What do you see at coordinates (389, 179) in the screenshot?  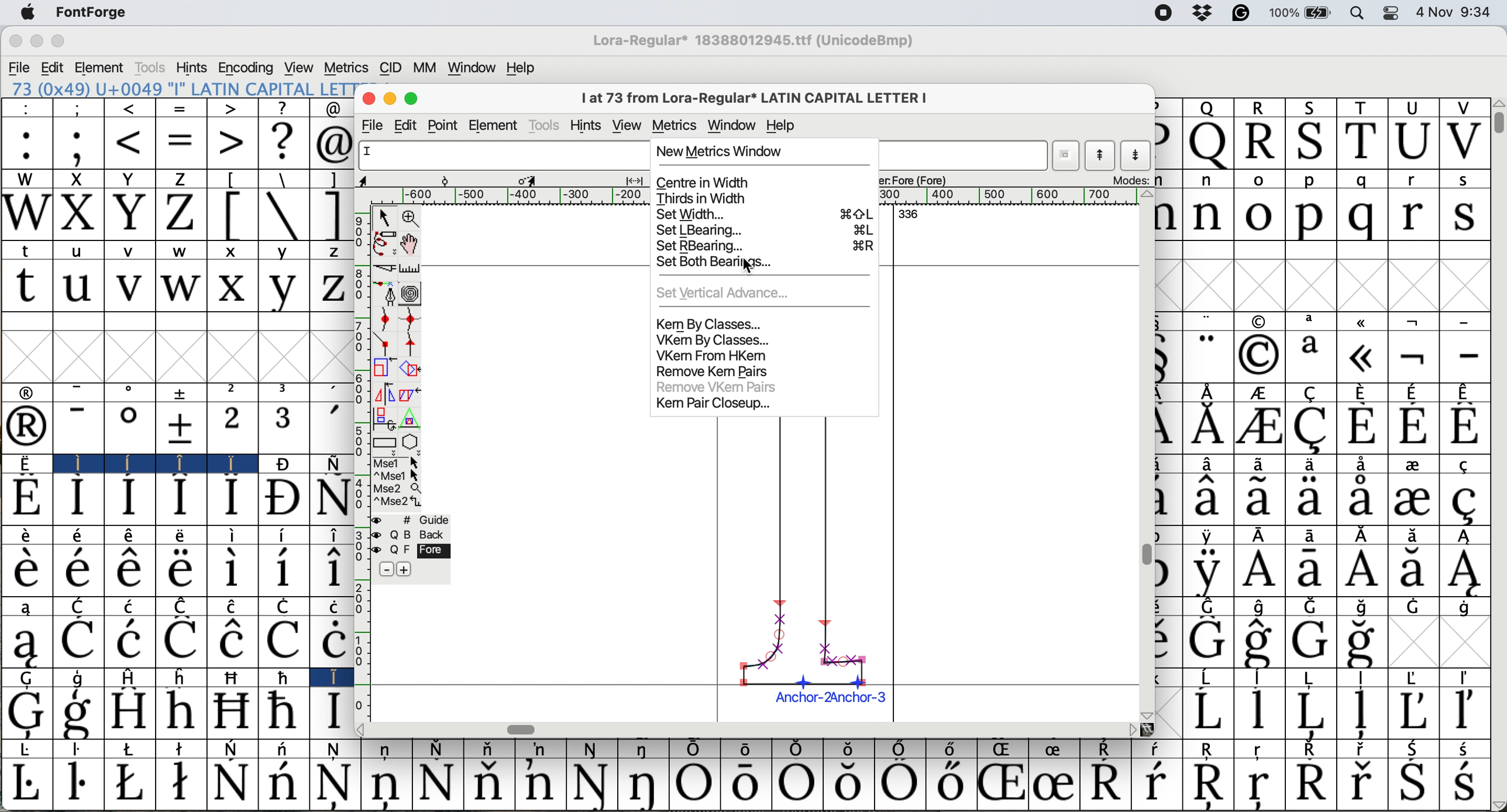 I see `` at bounding box center [389, 179].